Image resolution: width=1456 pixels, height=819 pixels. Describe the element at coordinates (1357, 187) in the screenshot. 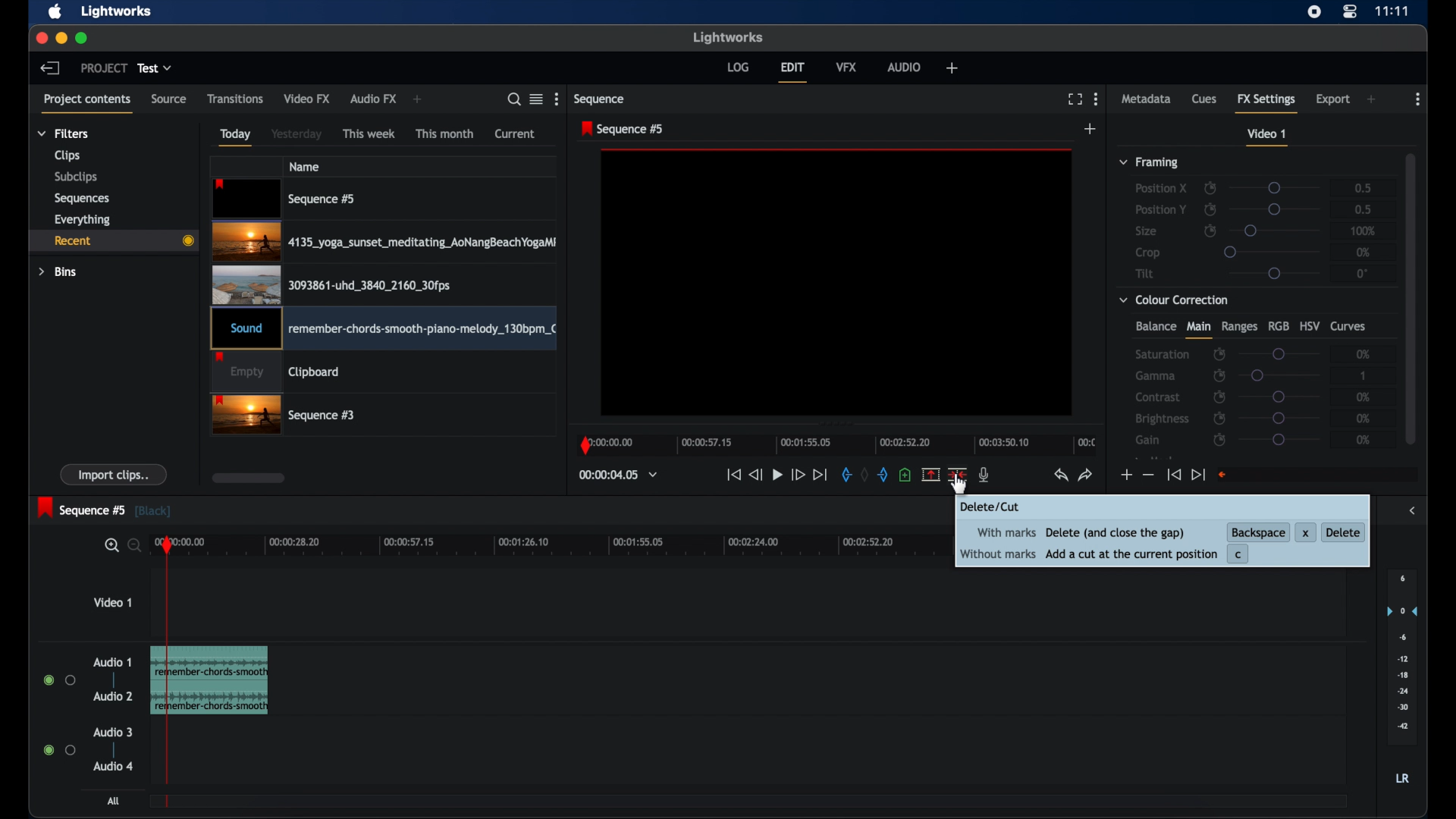

I see `0.5` at that location.